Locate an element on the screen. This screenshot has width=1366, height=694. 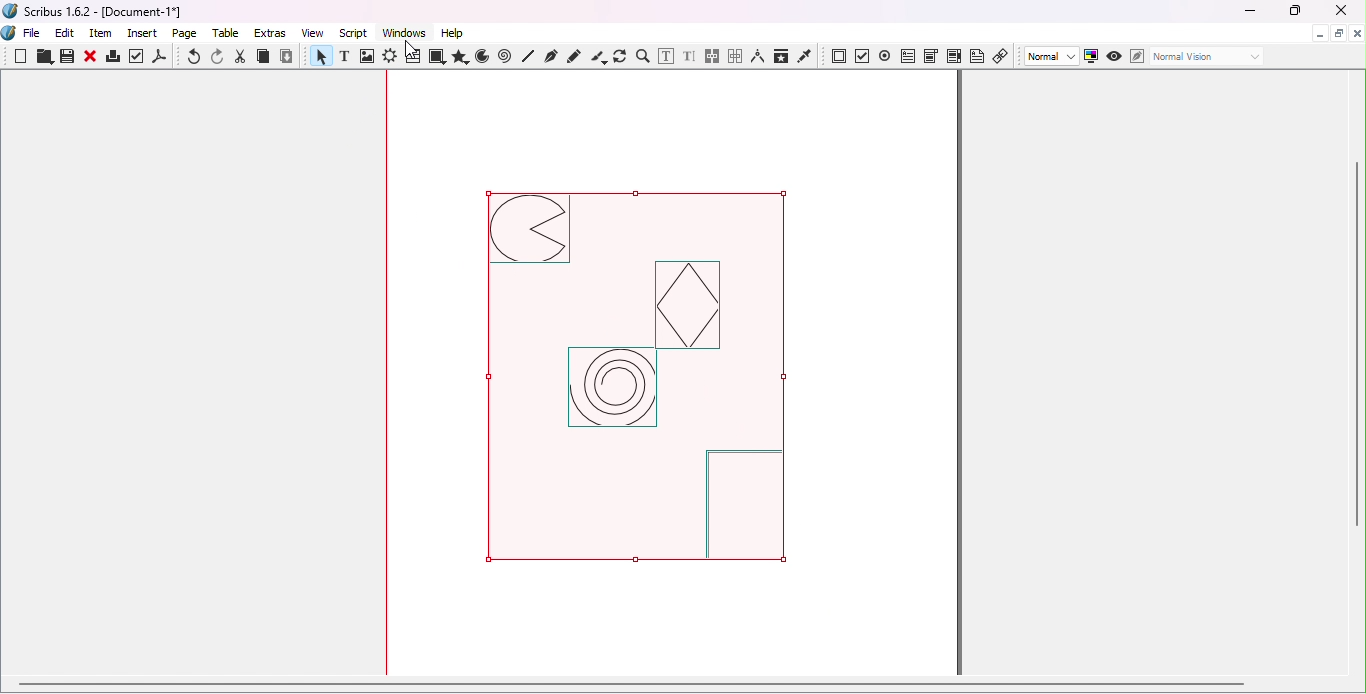
Minimize is located at coordinates (1318, 32).